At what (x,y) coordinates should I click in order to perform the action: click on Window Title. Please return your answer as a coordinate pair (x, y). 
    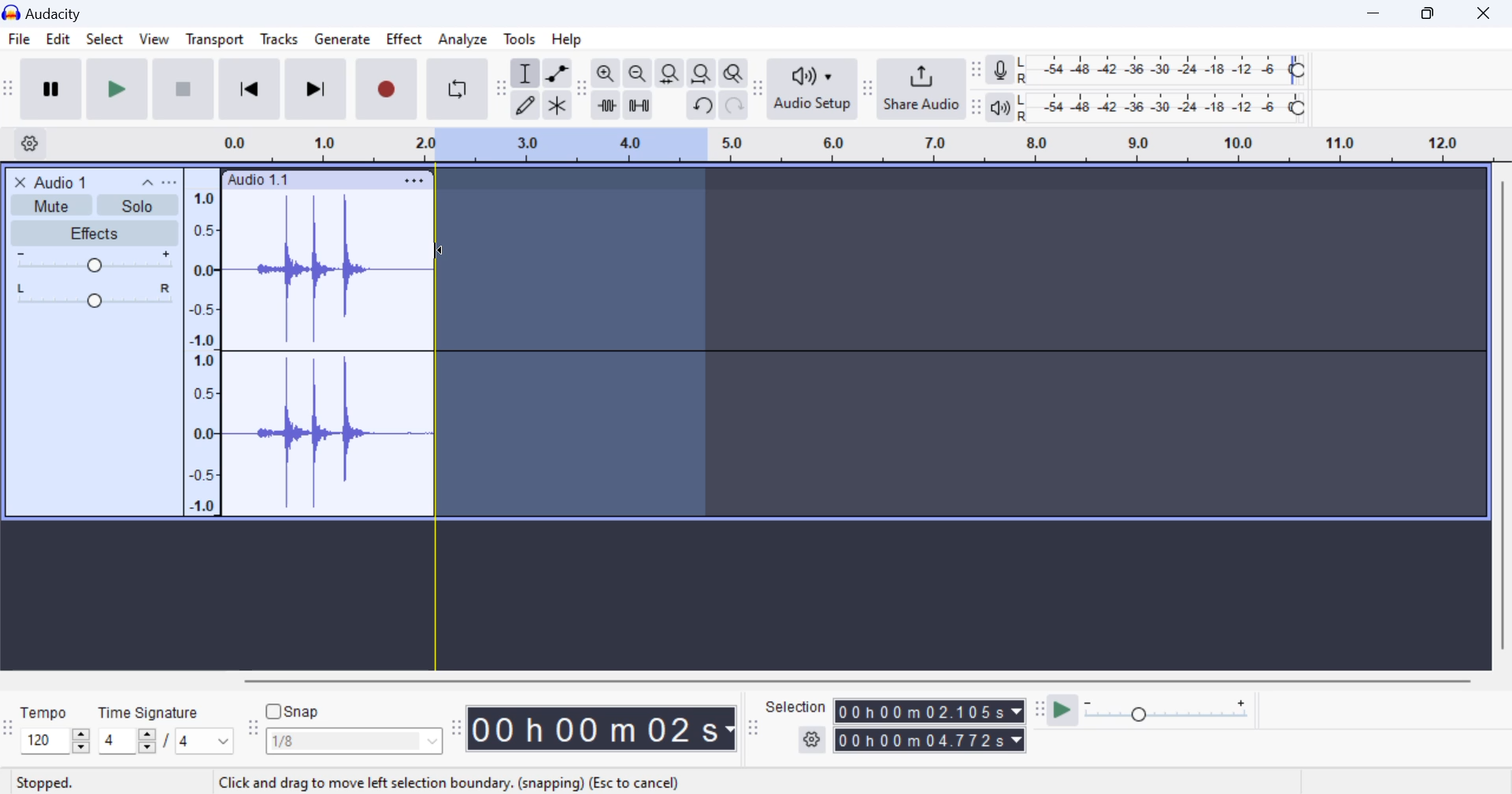
    Looking at the image, I should click on (50, 13).